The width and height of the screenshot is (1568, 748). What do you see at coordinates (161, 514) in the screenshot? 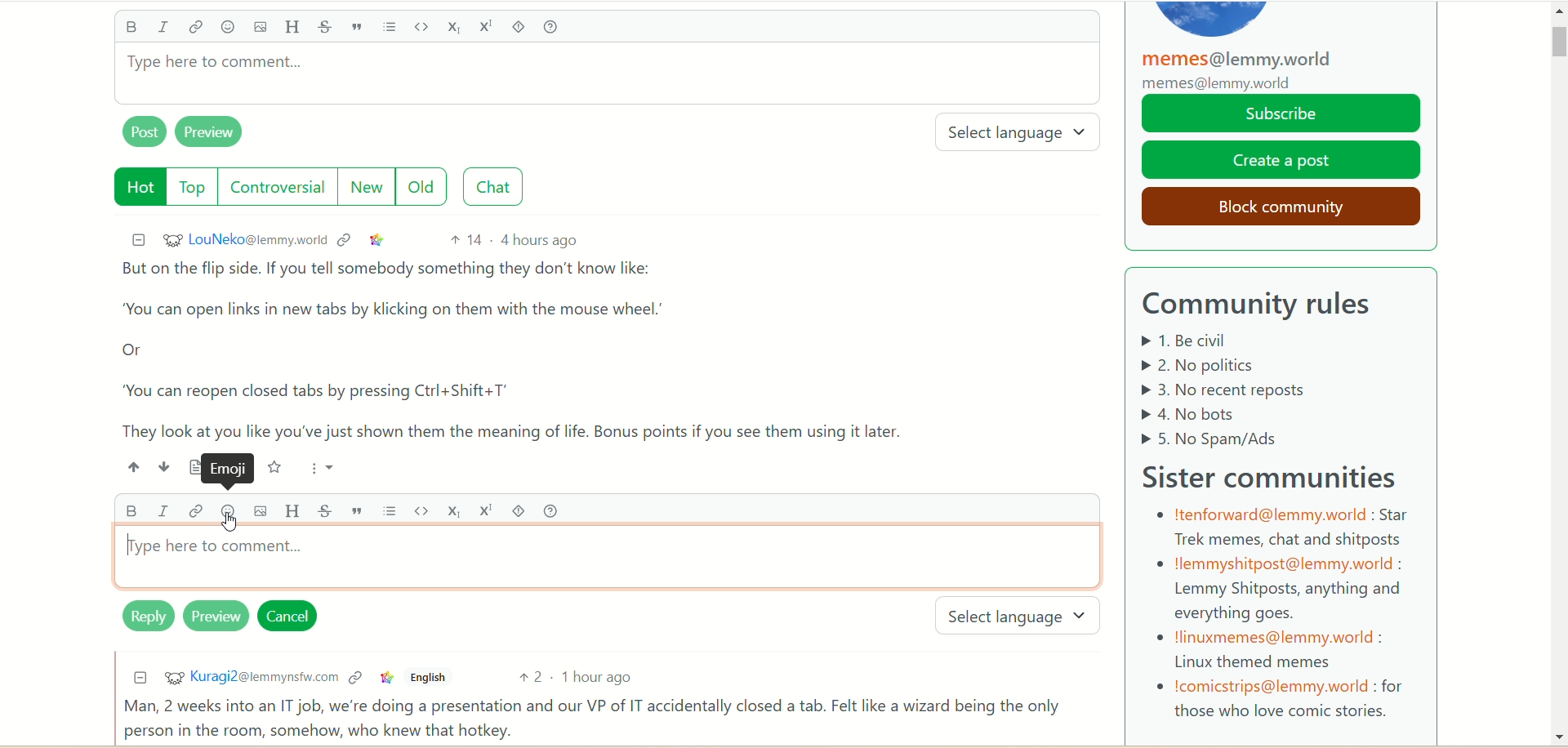
I see `italics` at bounding box center [161, 514].